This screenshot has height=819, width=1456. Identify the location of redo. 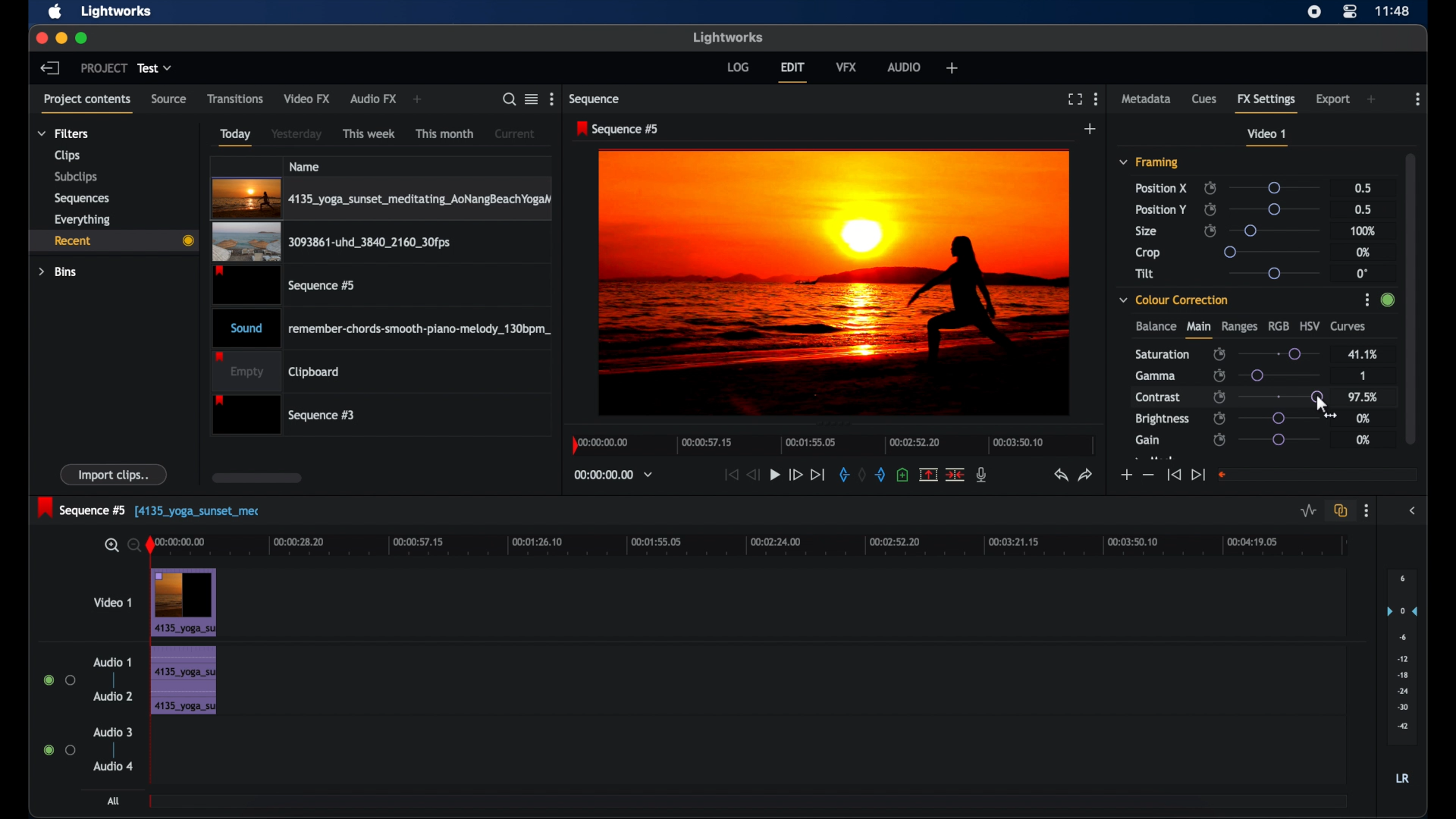
(1086, 475).